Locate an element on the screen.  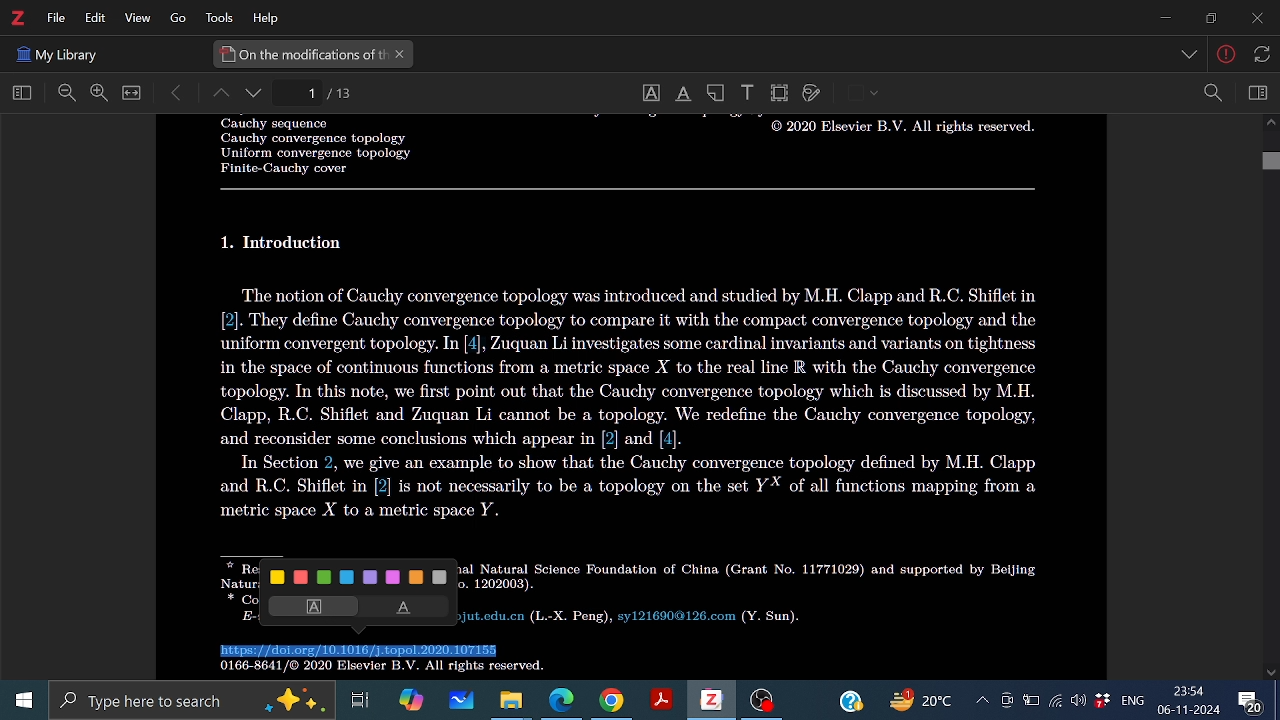
Add text is located at coordinates (746, 91).